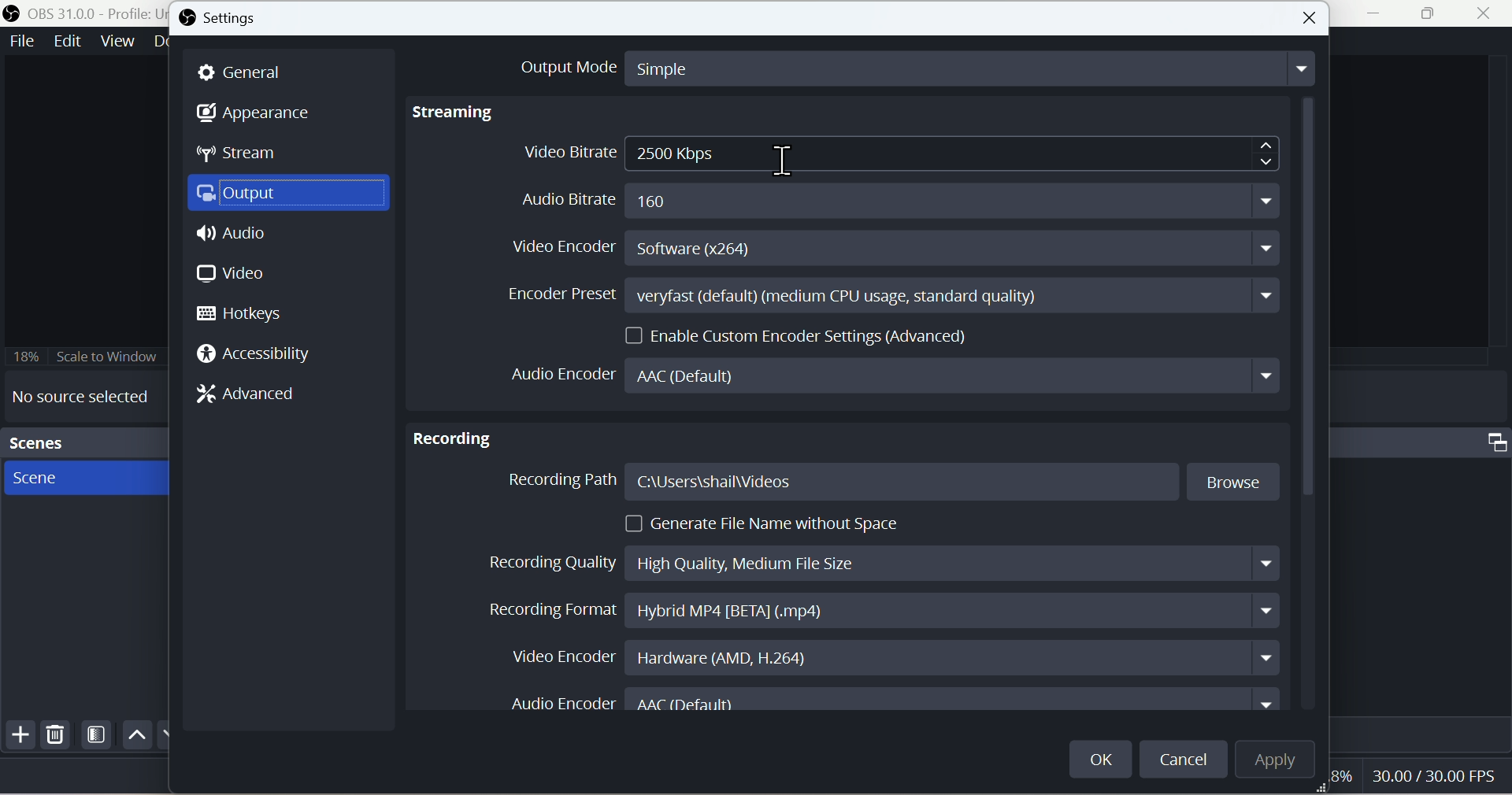 The height and width of the screenshot is (795, 1512). Describe the element at coordinates (1425, 440) in the screenshot. I see `Audio mixer` at that location.